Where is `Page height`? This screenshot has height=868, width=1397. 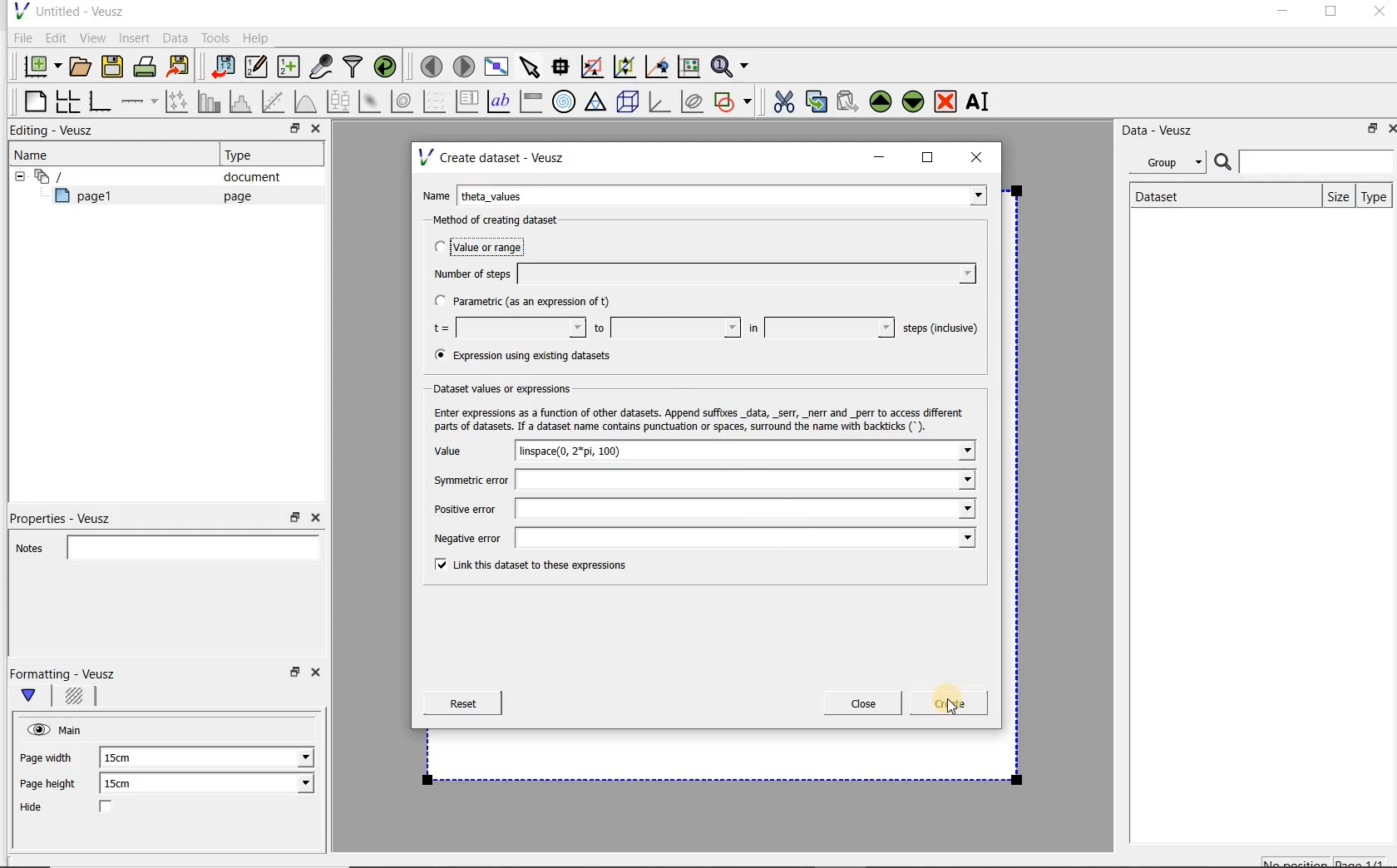 Page height is located at coordinates (53, 786).